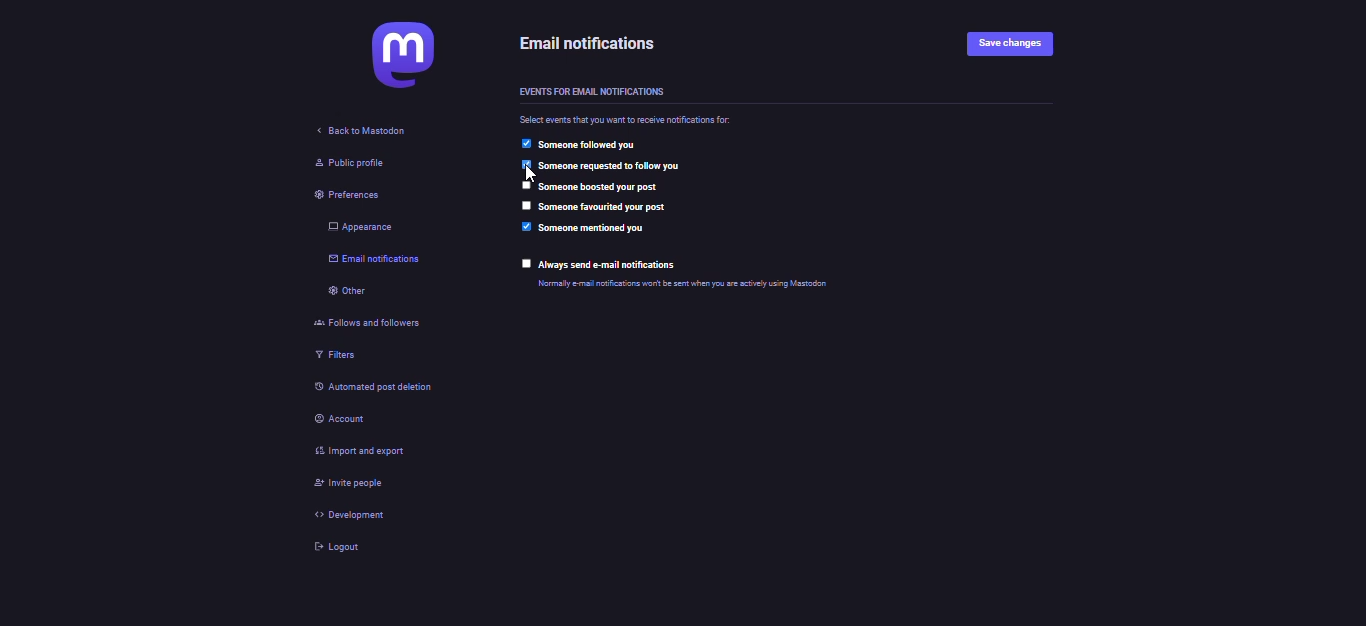 The height and width of the screenshot is (626, 1366). I want to click on someone requested to follow you, so click(616, 165).